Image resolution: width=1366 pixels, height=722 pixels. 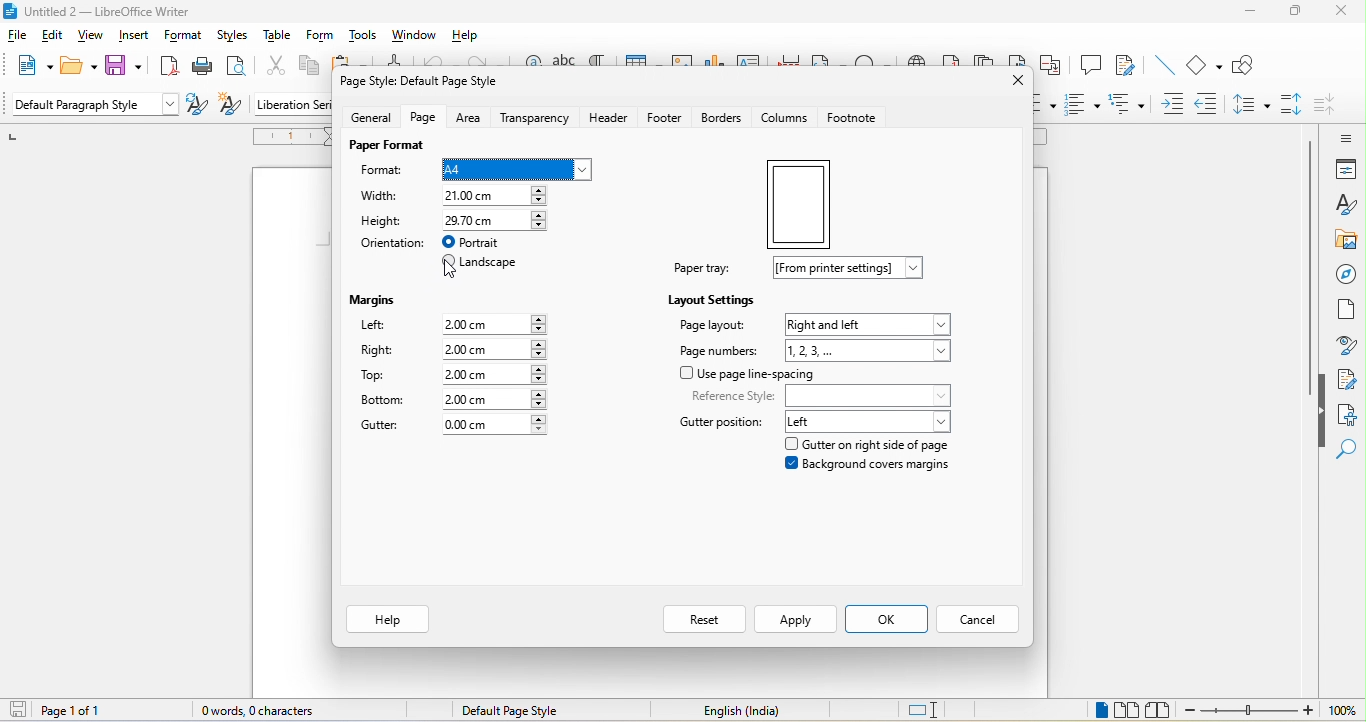 I want to click on gutter, so click(x=382, y=424).